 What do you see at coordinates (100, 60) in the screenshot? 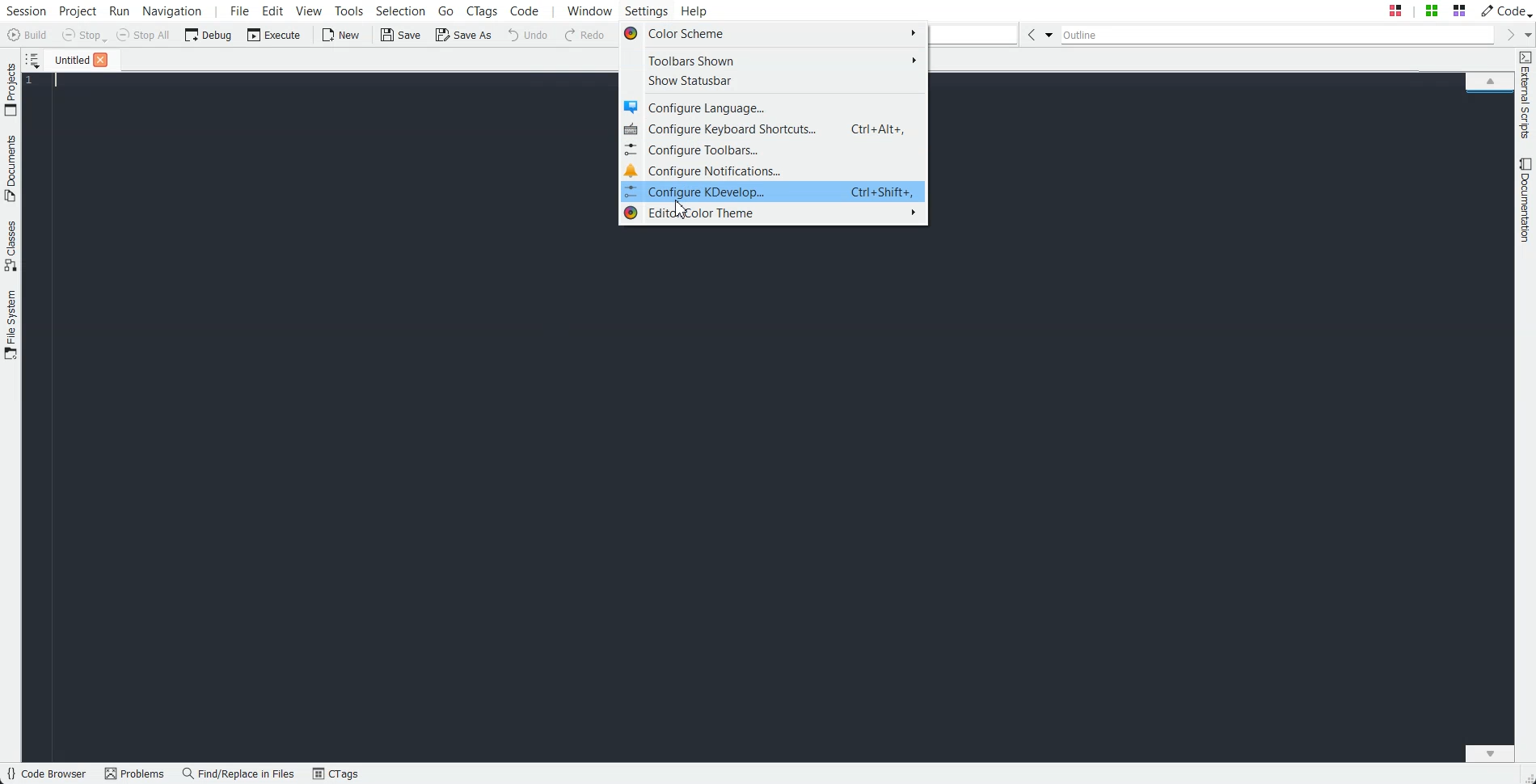
I see `Close` at bounding box center [100, 60].